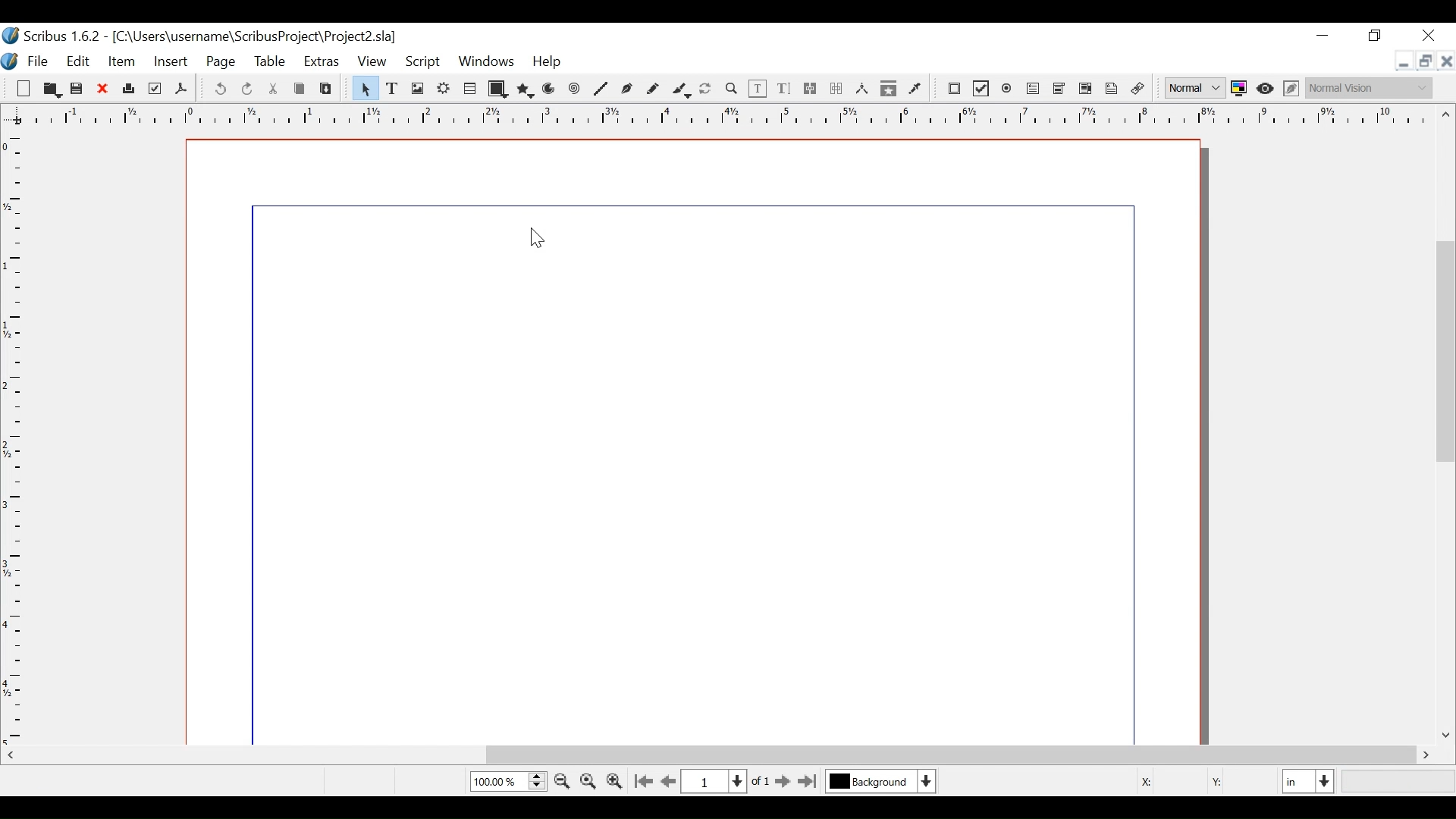 The width and height of the screenshot is (1456, 819). What do you see at coordinates (121, 61) in the screenshot?
I see `Item` at bounding box center [121, 61].